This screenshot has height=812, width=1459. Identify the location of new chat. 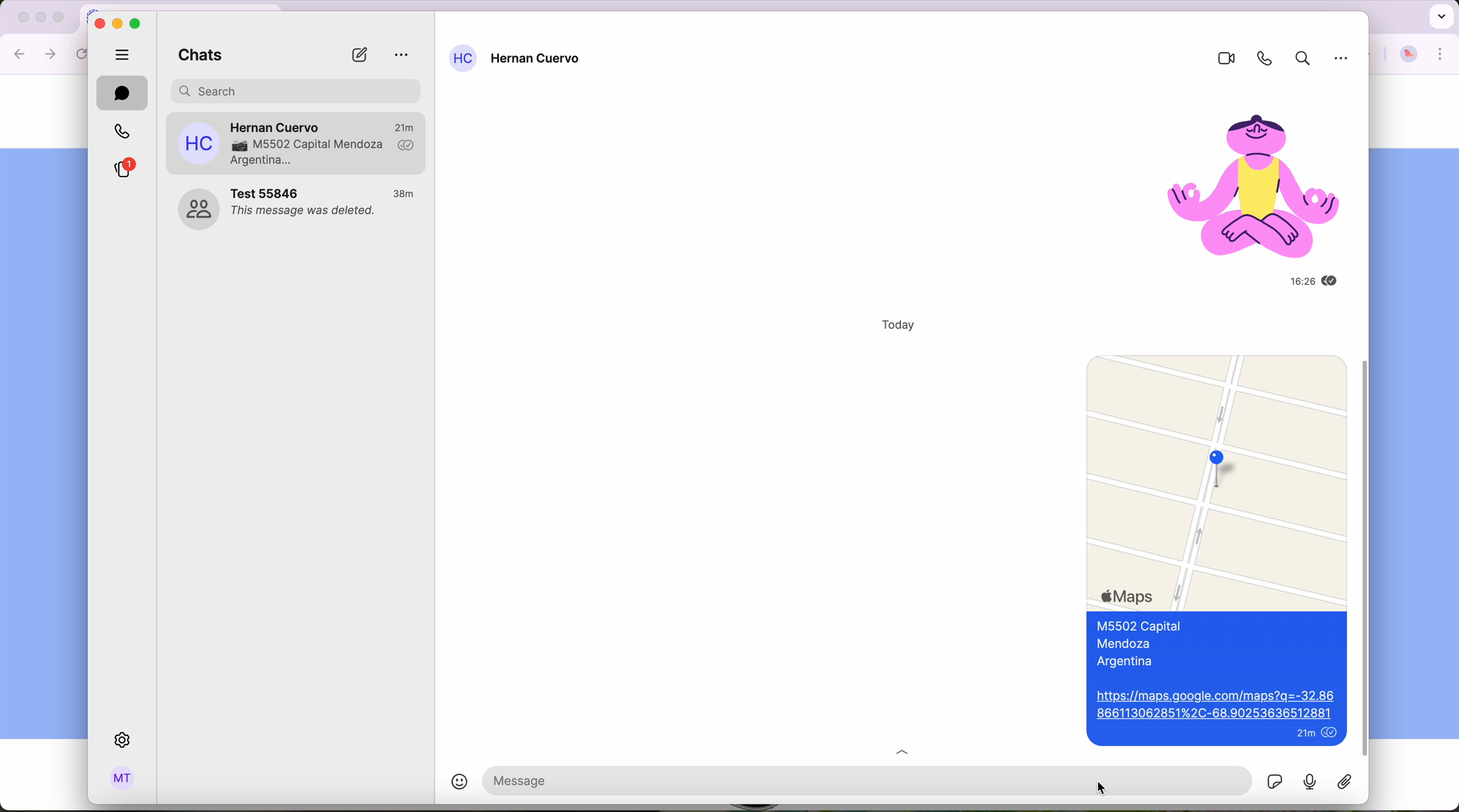
(359, 55).